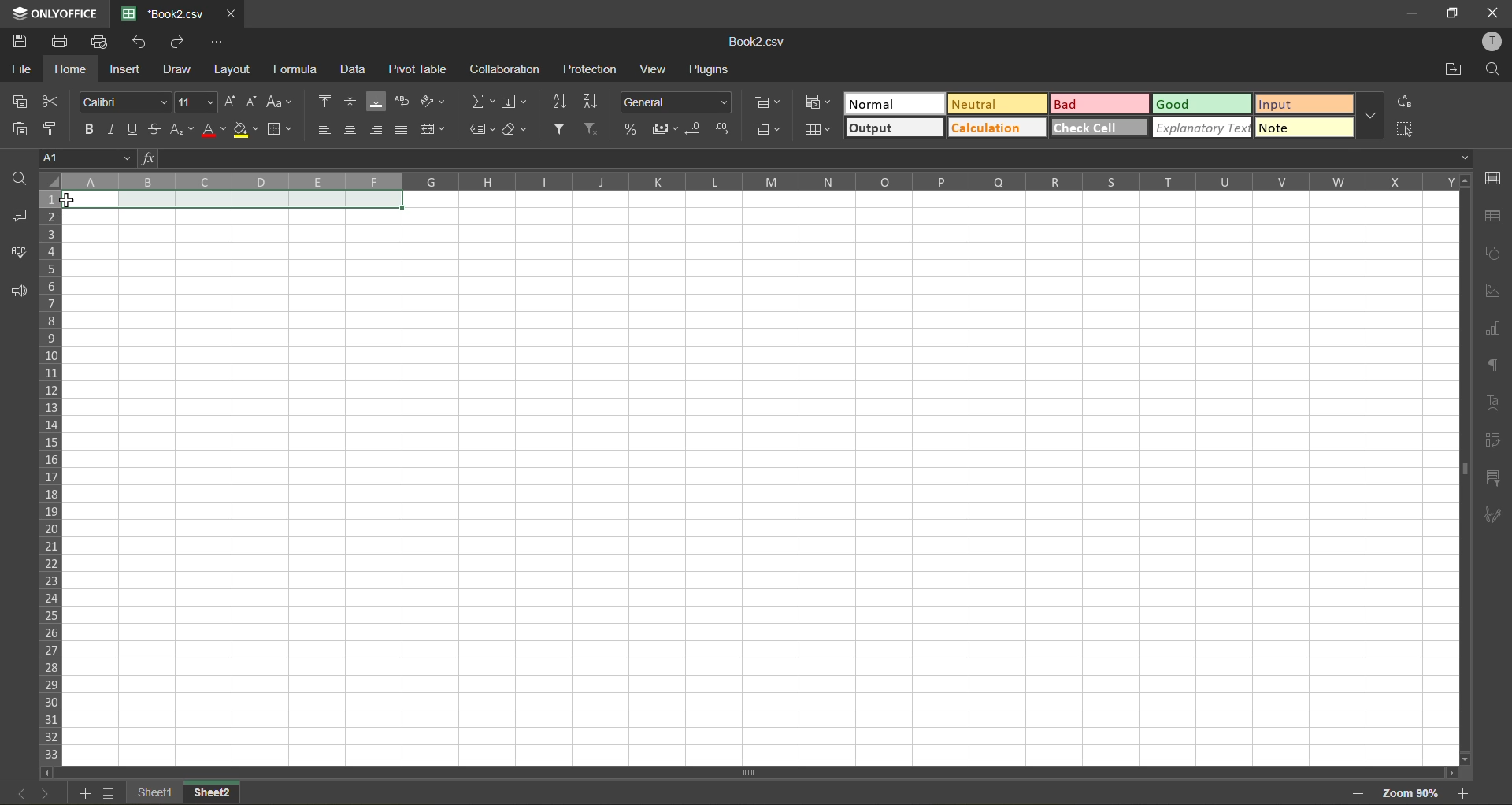  Describe the element at coordinates (236, 69) in the screenshot. I see `layout` at that location.